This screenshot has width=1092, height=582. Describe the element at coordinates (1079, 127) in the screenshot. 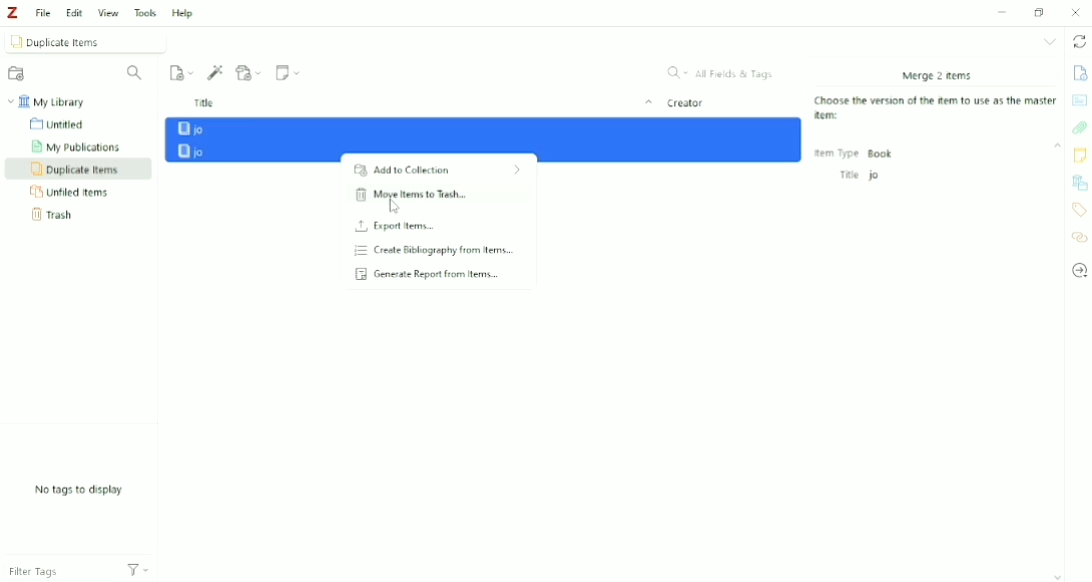

I see `Attachments` at that location.